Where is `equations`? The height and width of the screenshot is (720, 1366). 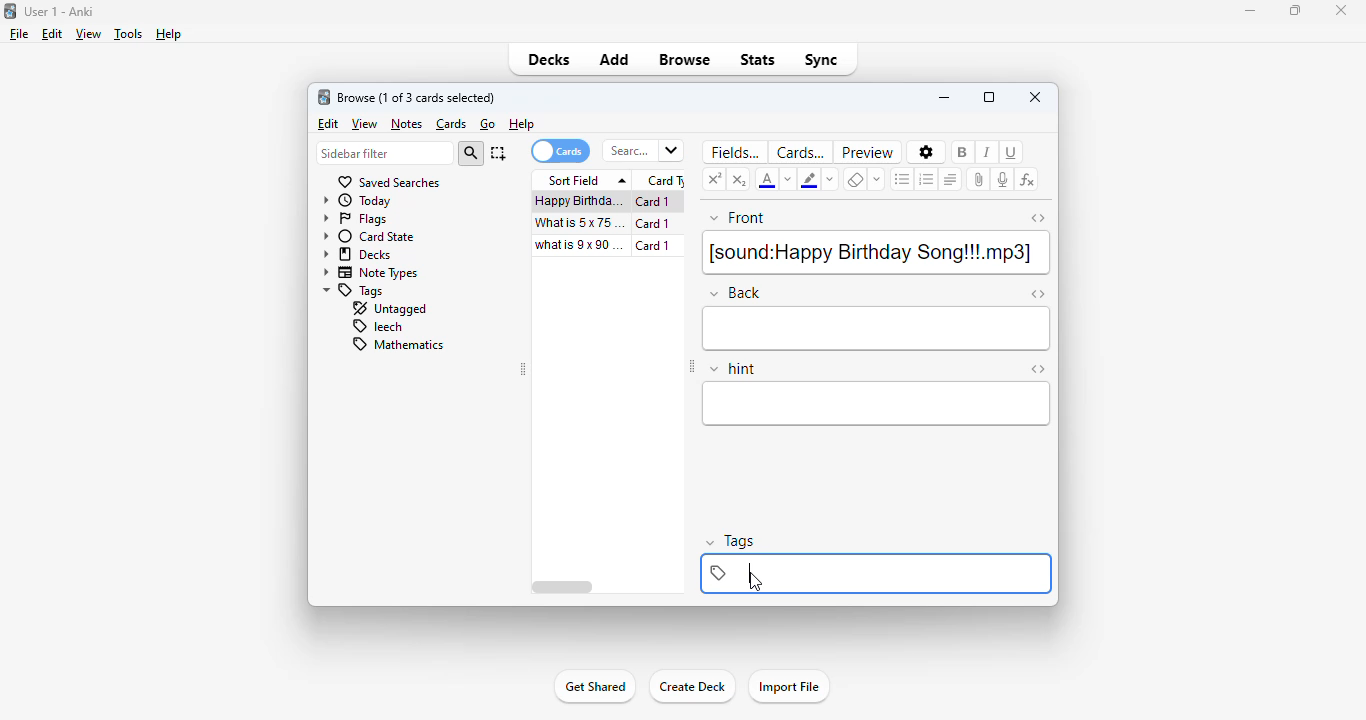 equations is located at coordinates (1027, 181).